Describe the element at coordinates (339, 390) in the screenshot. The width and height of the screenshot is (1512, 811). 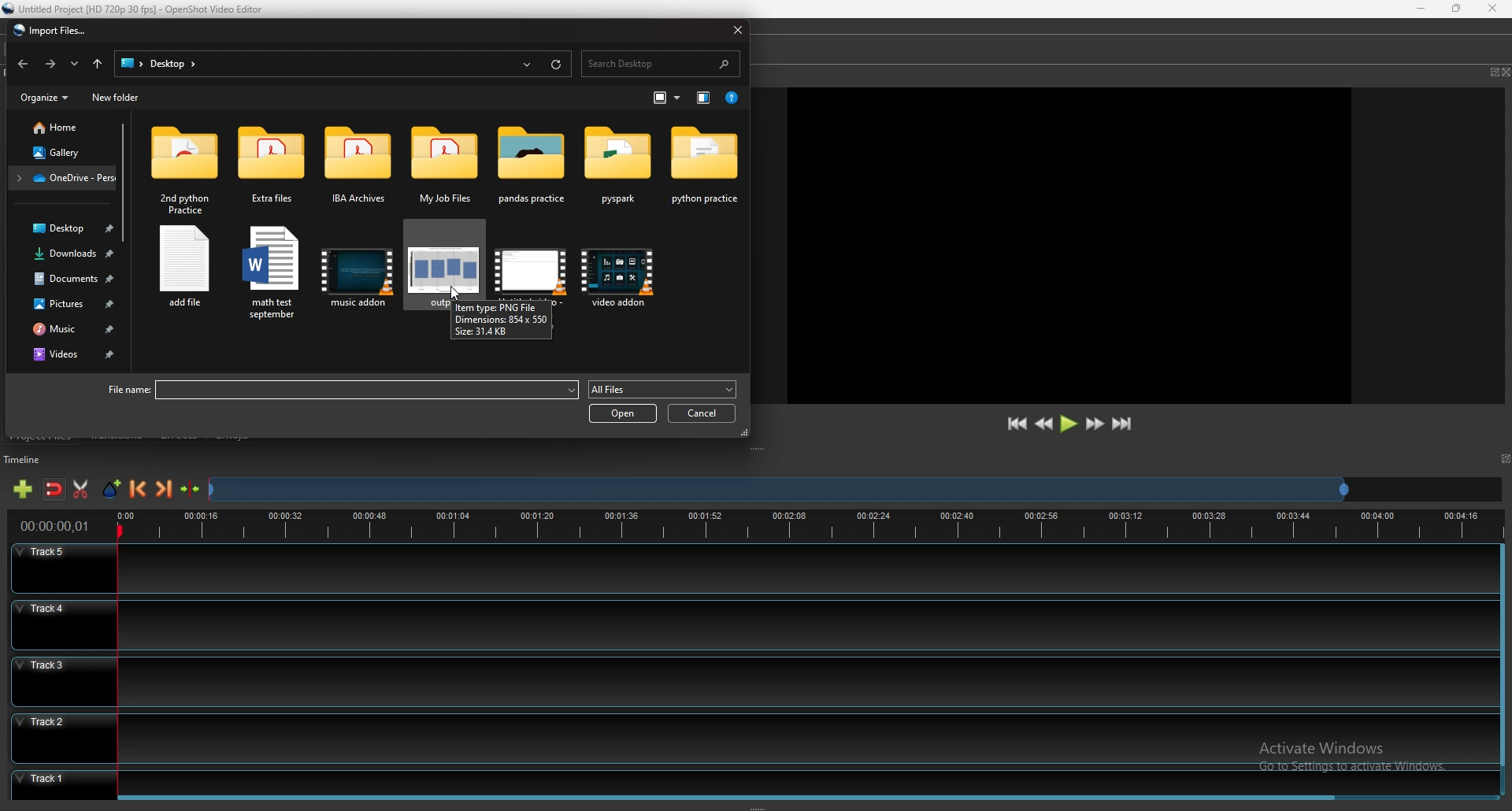
I see `file` at that location.